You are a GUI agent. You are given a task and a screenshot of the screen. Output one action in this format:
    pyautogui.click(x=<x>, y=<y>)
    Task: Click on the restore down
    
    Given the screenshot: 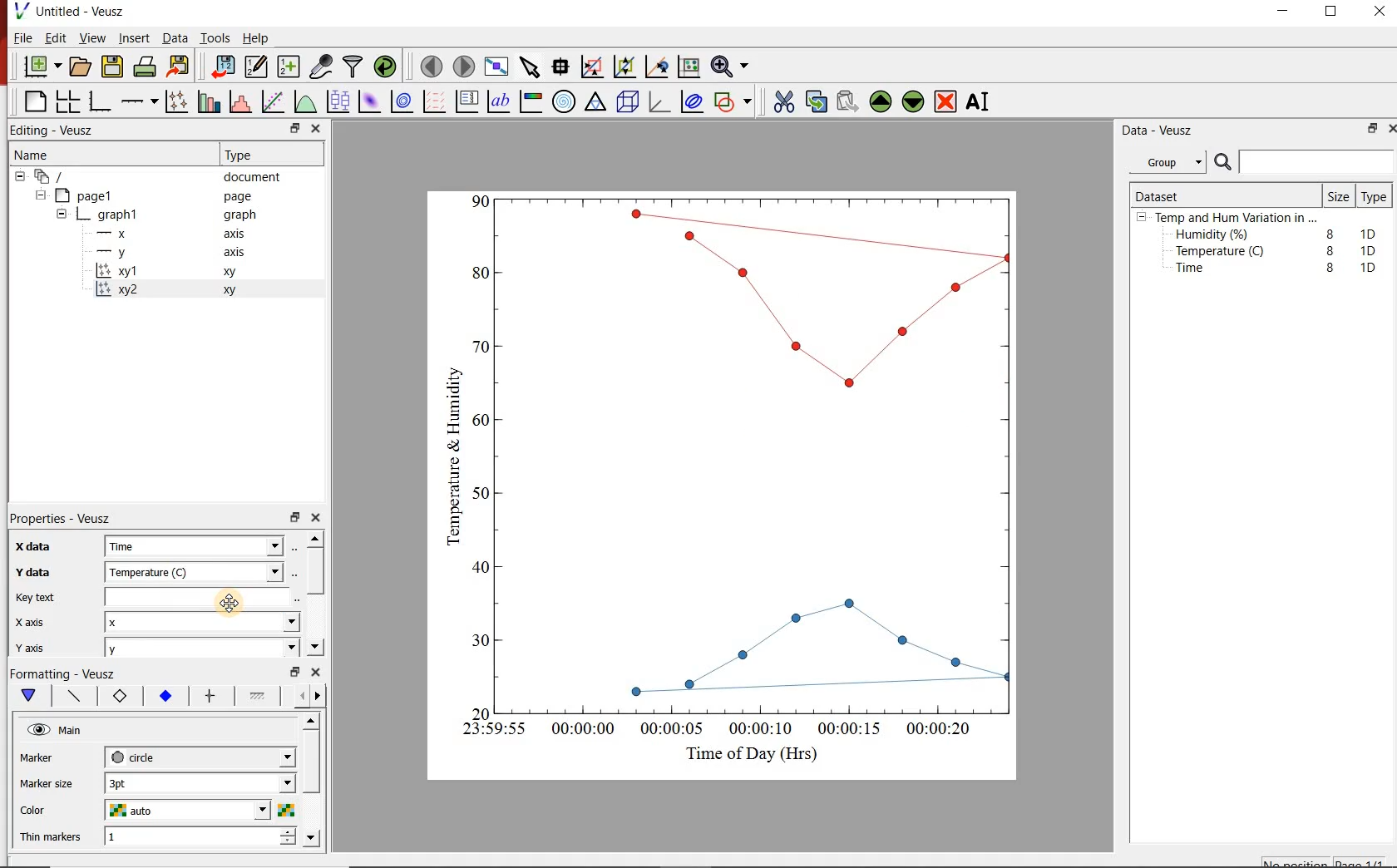 What is the action you would take?
    pyautogui.click(x=284, y=128)
    